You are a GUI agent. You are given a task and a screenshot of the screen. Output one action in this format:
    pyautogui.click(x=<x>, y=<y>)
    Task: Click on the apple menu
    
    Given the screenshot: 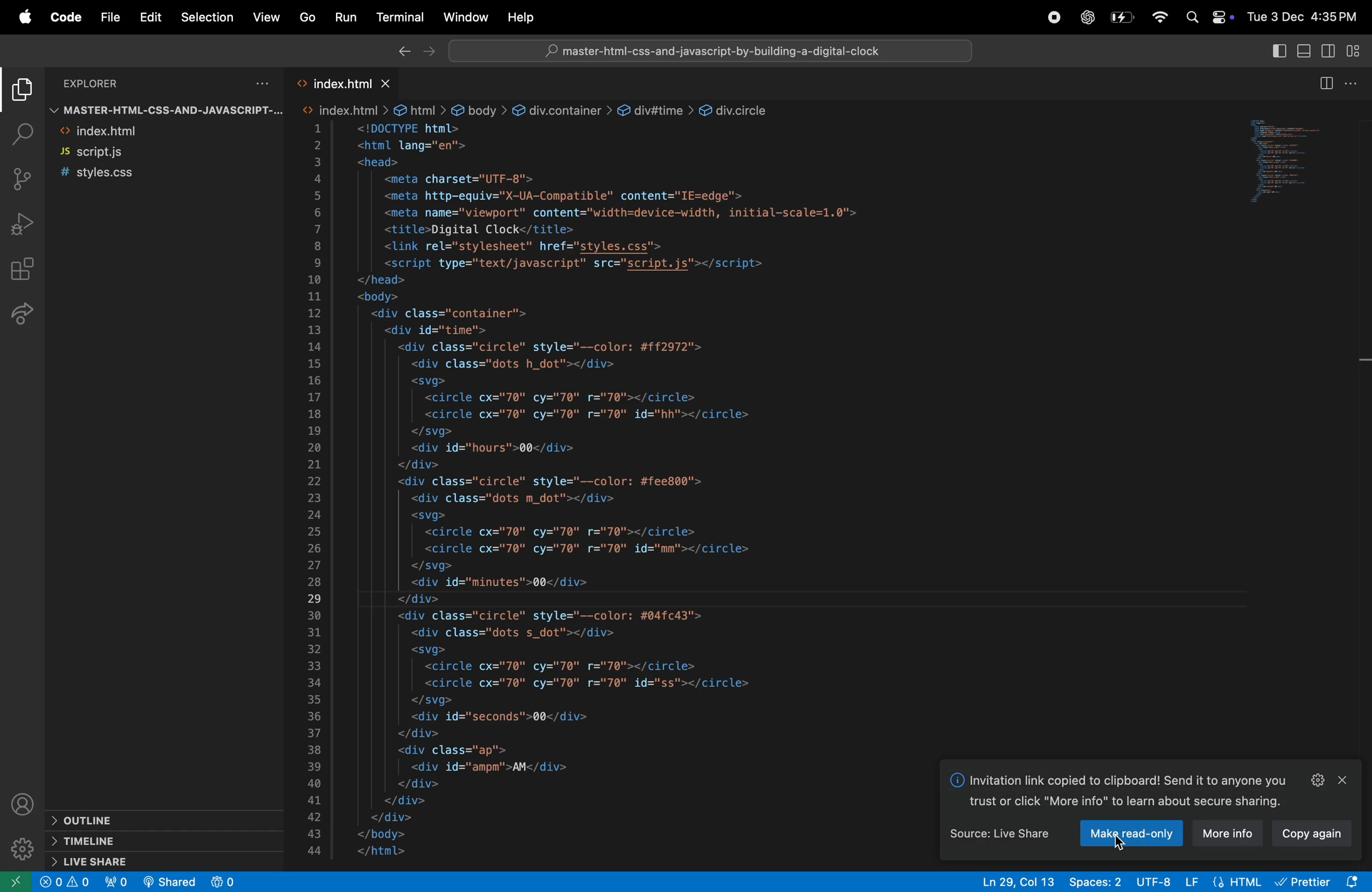 What is the action you would take?
    pyautogui.click(x=19, y=17)
    